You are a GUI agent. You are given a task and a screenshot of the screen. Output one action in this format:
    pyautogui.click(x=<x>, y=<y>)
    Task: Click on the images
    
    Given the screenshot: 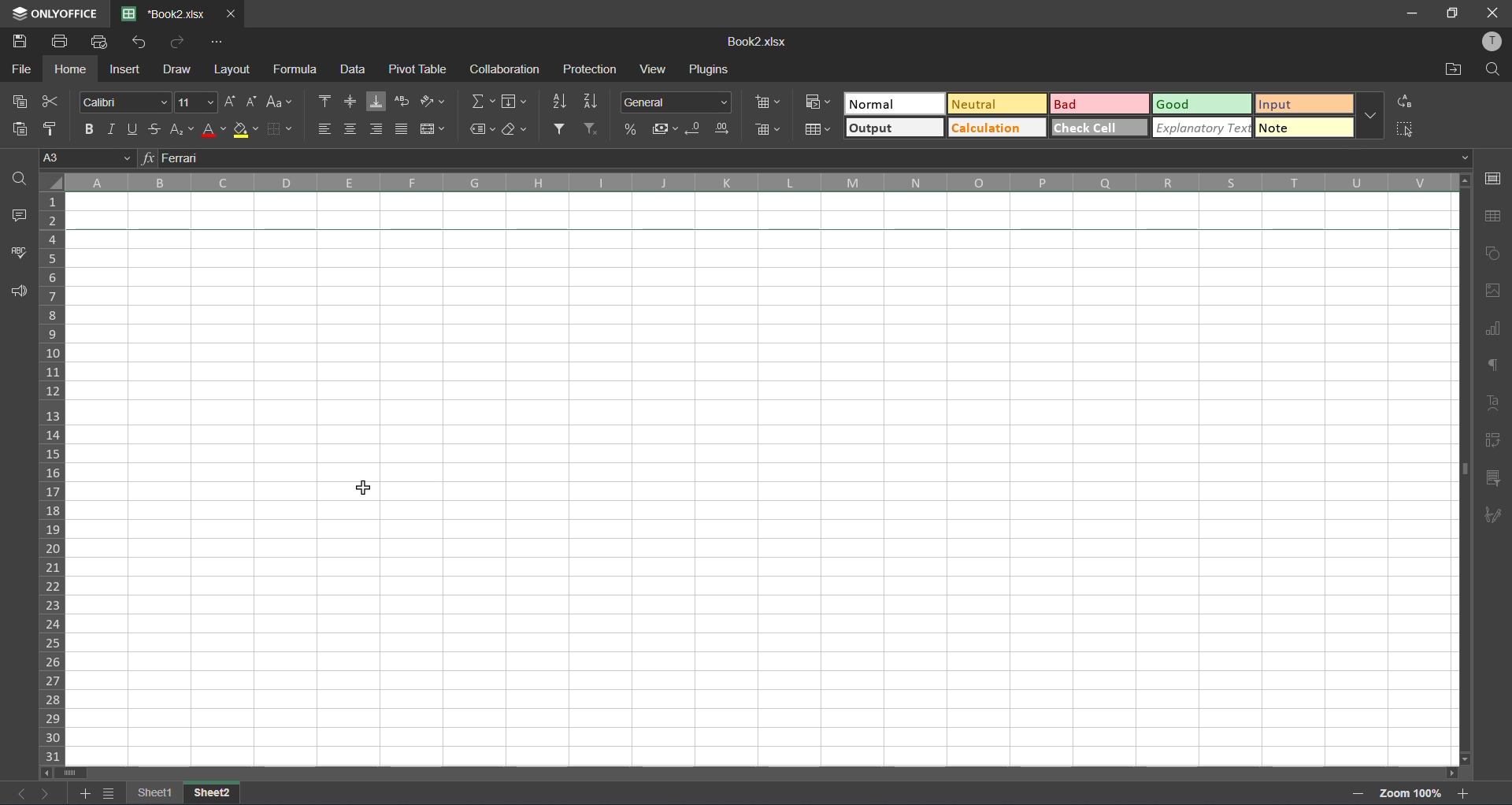 What is the action you would take?
    pyautogui.click(x=1494, y=291)
    